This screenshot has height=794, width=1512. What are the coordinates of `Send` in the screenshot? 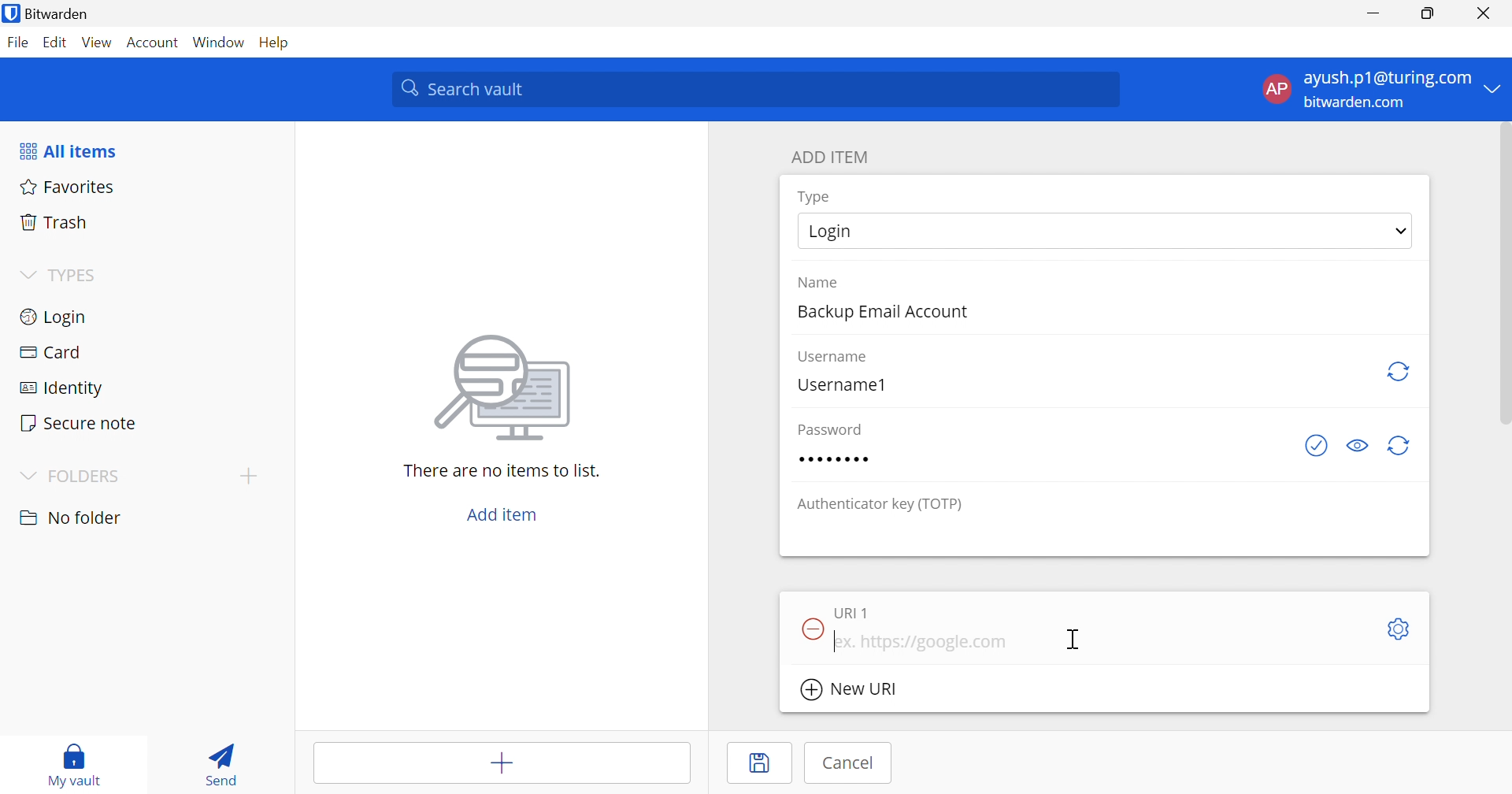 It's located at (225, 763).